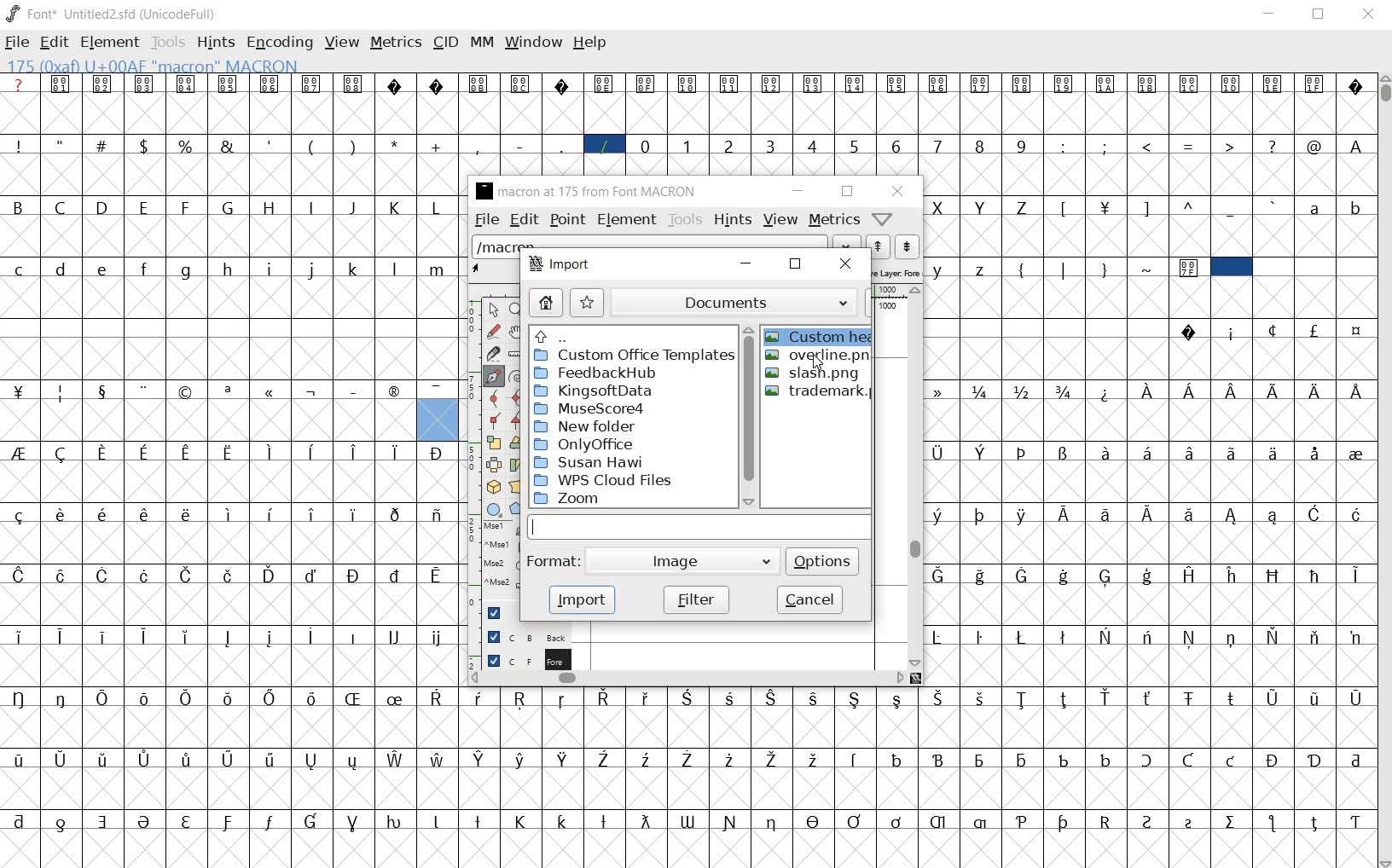 The image size is (1392, 868). I want to click on Symbol, so click(899, 820).